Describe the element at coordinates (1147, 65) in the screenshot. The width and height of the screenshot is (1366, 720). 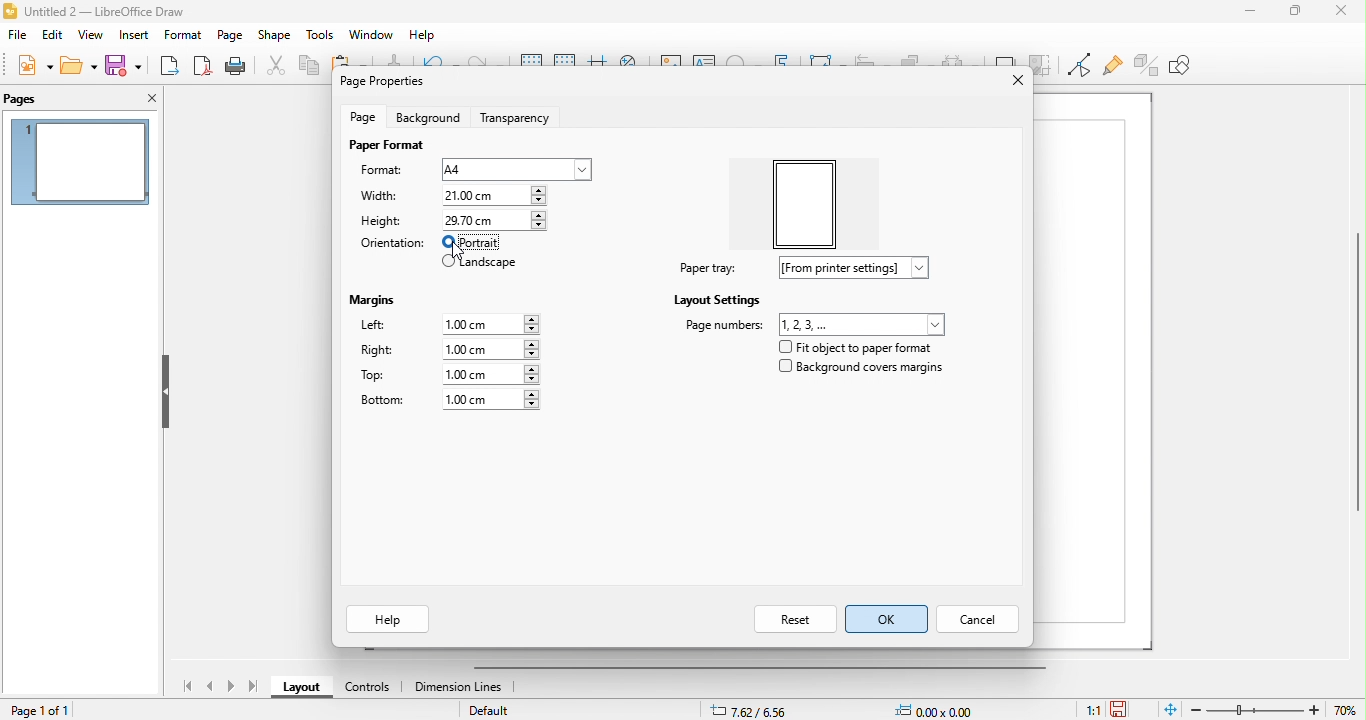
I see `toggle extrusions` at that location.